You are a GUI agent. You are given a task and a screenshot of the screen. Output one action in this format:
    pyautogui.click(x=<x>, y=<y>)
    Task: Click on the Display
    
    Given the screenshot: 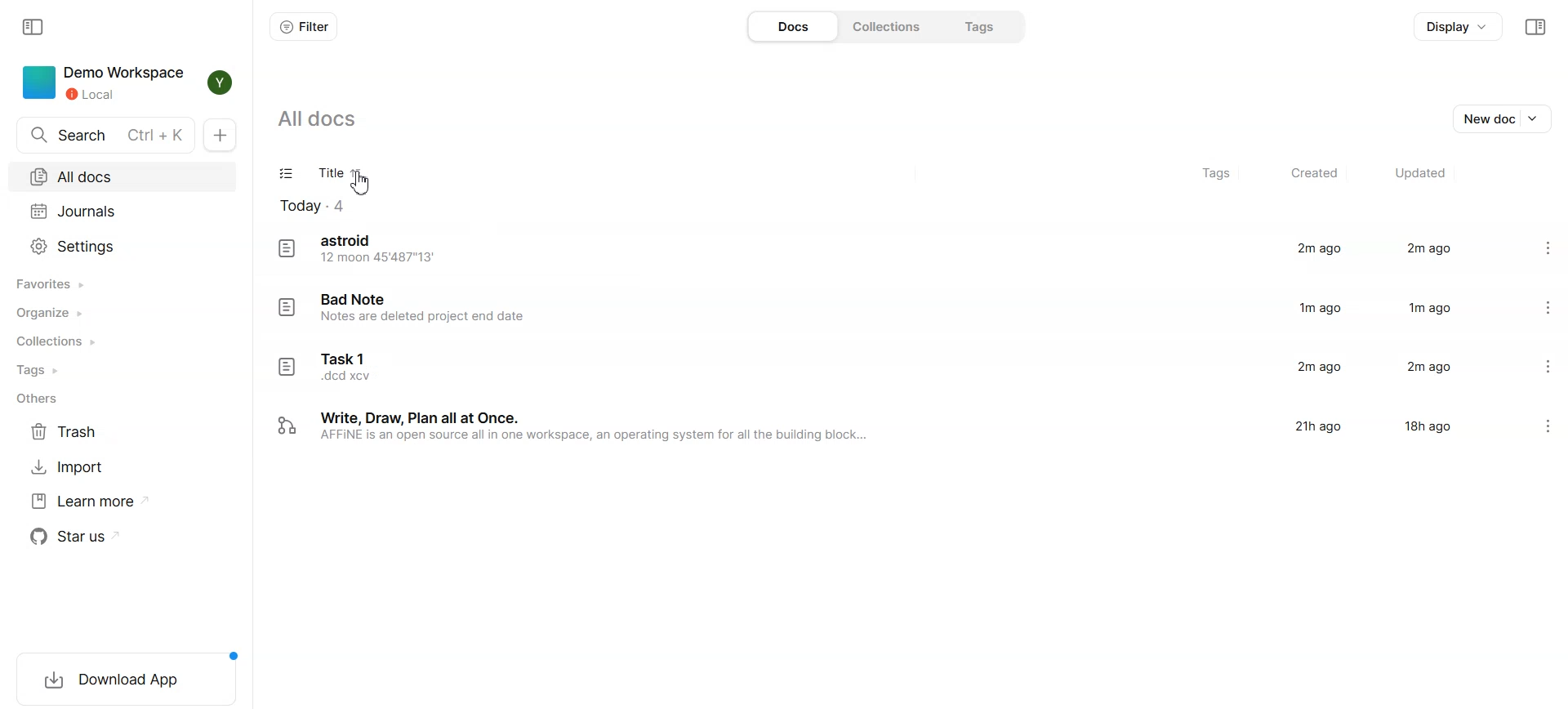 What is the action you would take?
    pyautogui.click(x=1459, y=26)
    